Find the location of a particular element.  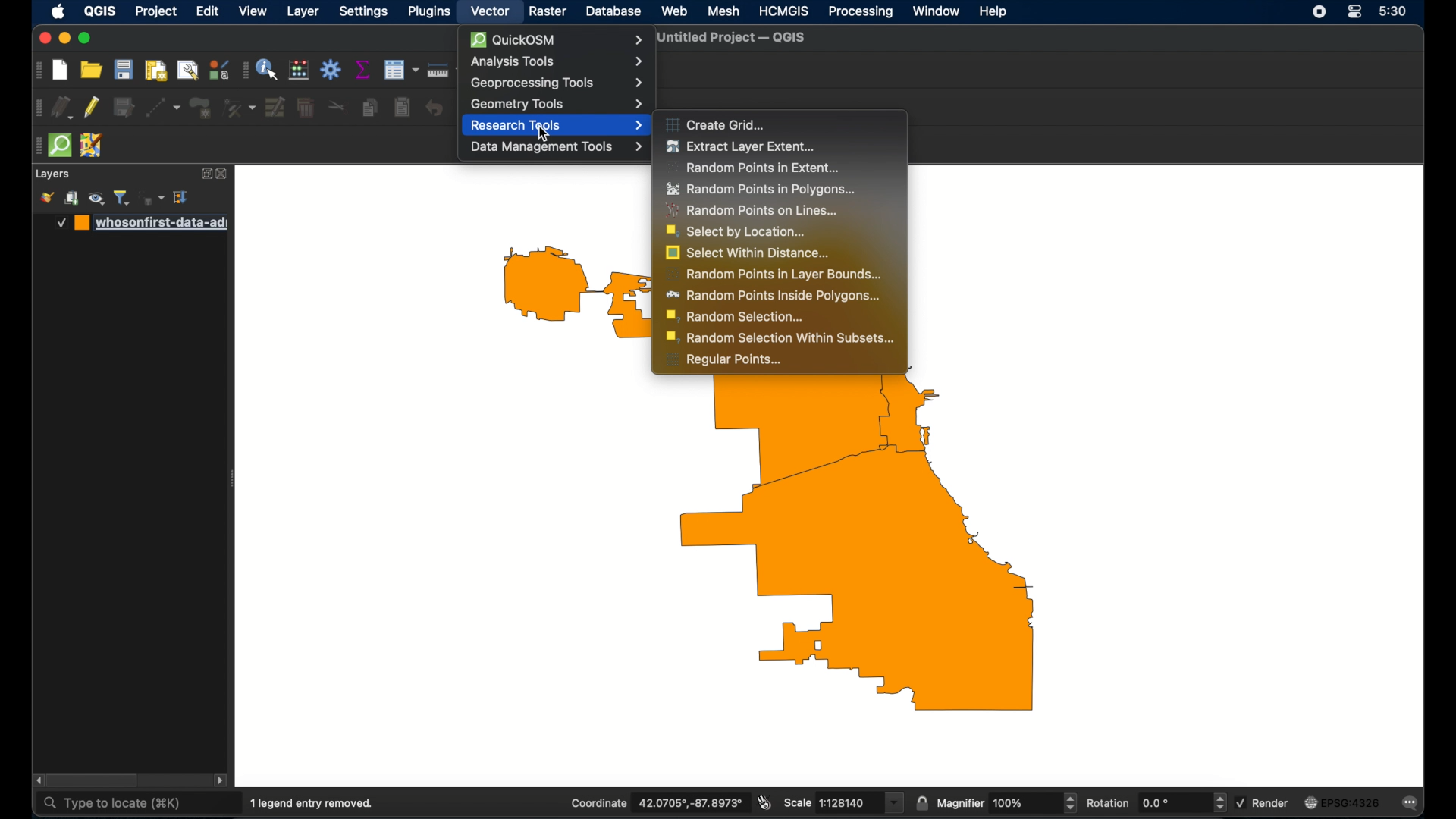

settings is located at coordinates (366, 11).